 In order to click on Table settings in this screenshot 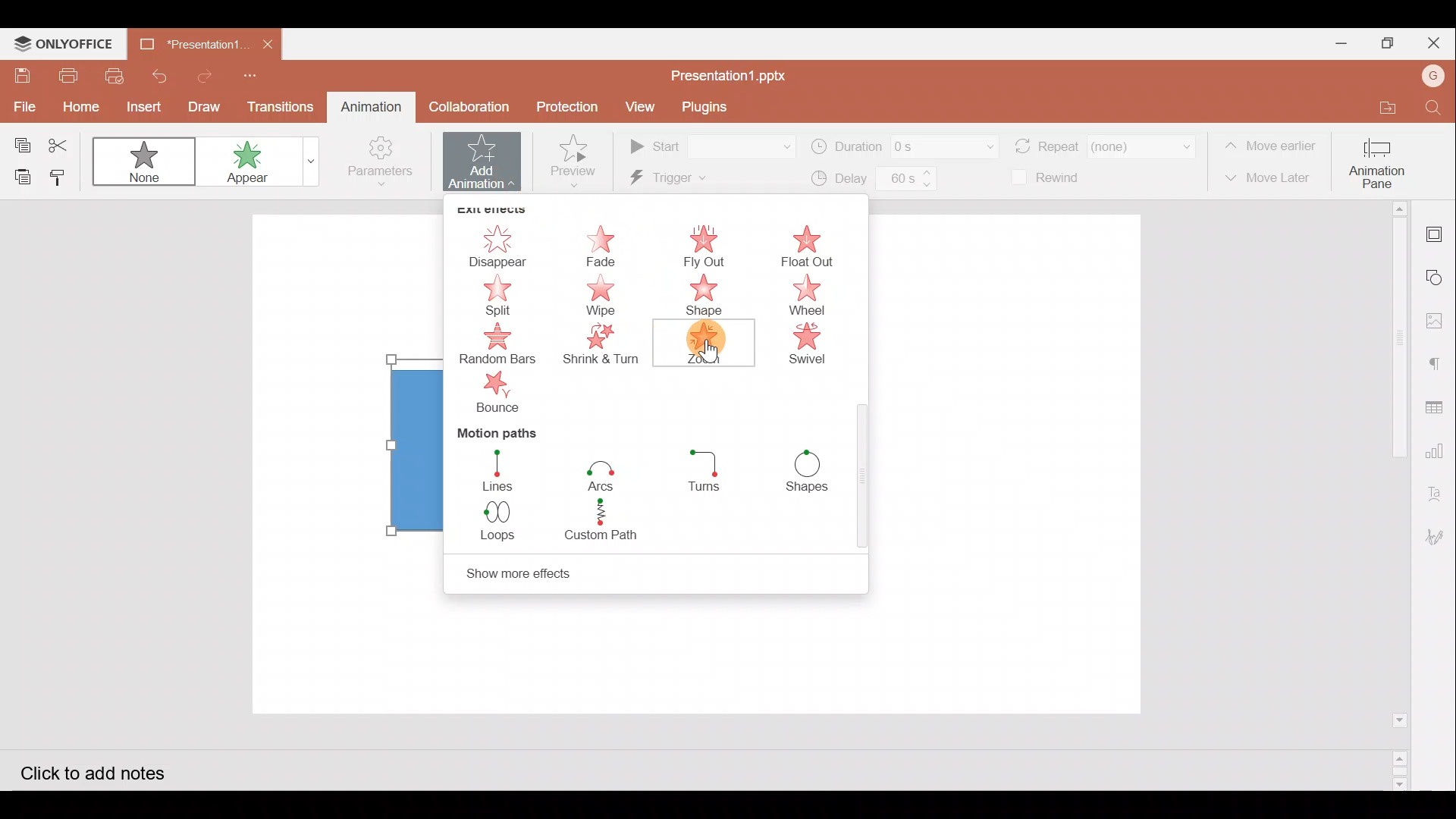, I will do `click(1438, 407)`.